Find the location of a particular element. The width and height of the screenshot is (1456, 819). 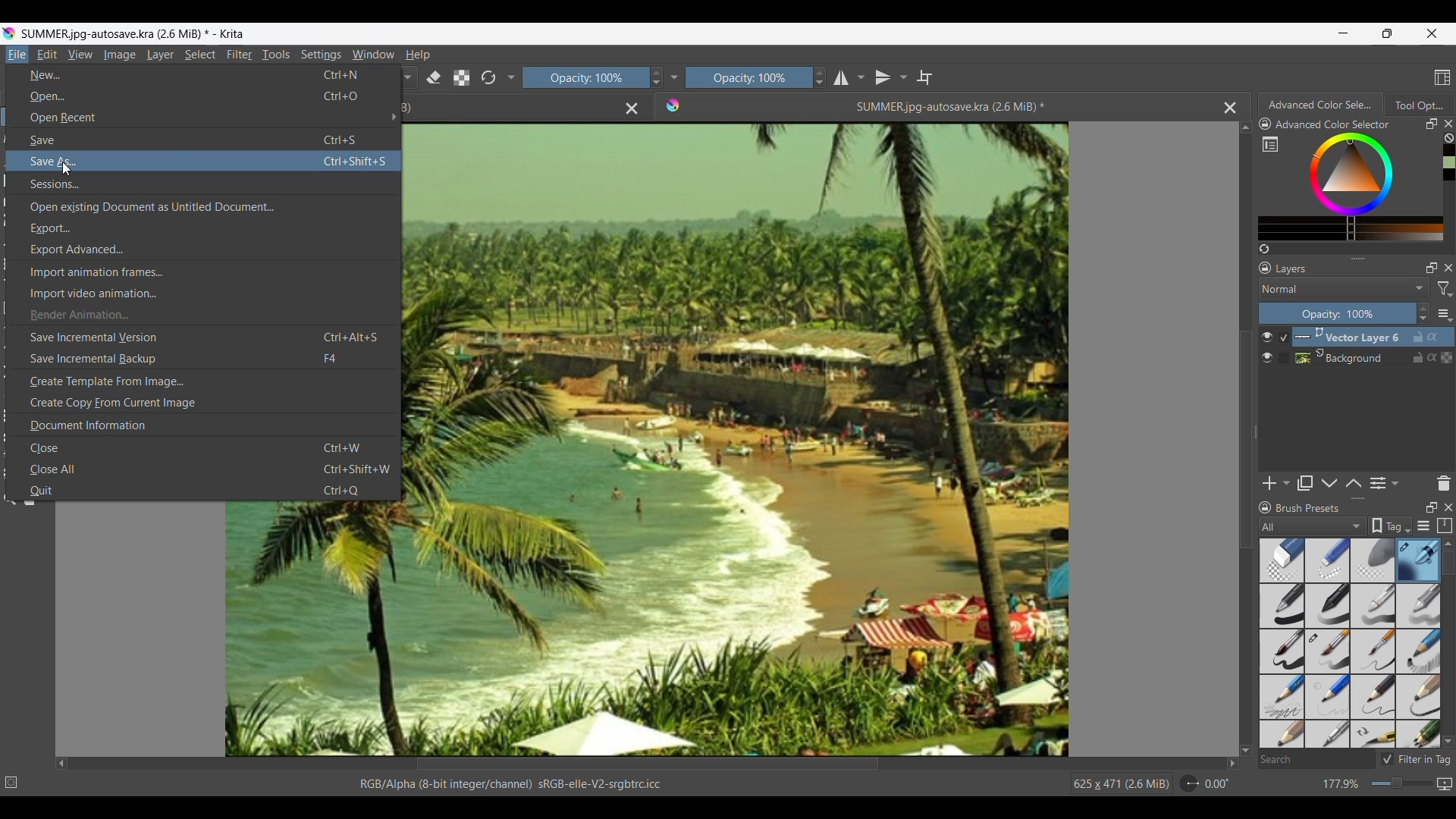

Move layer/mask up is located at coordinates (1353, 483).